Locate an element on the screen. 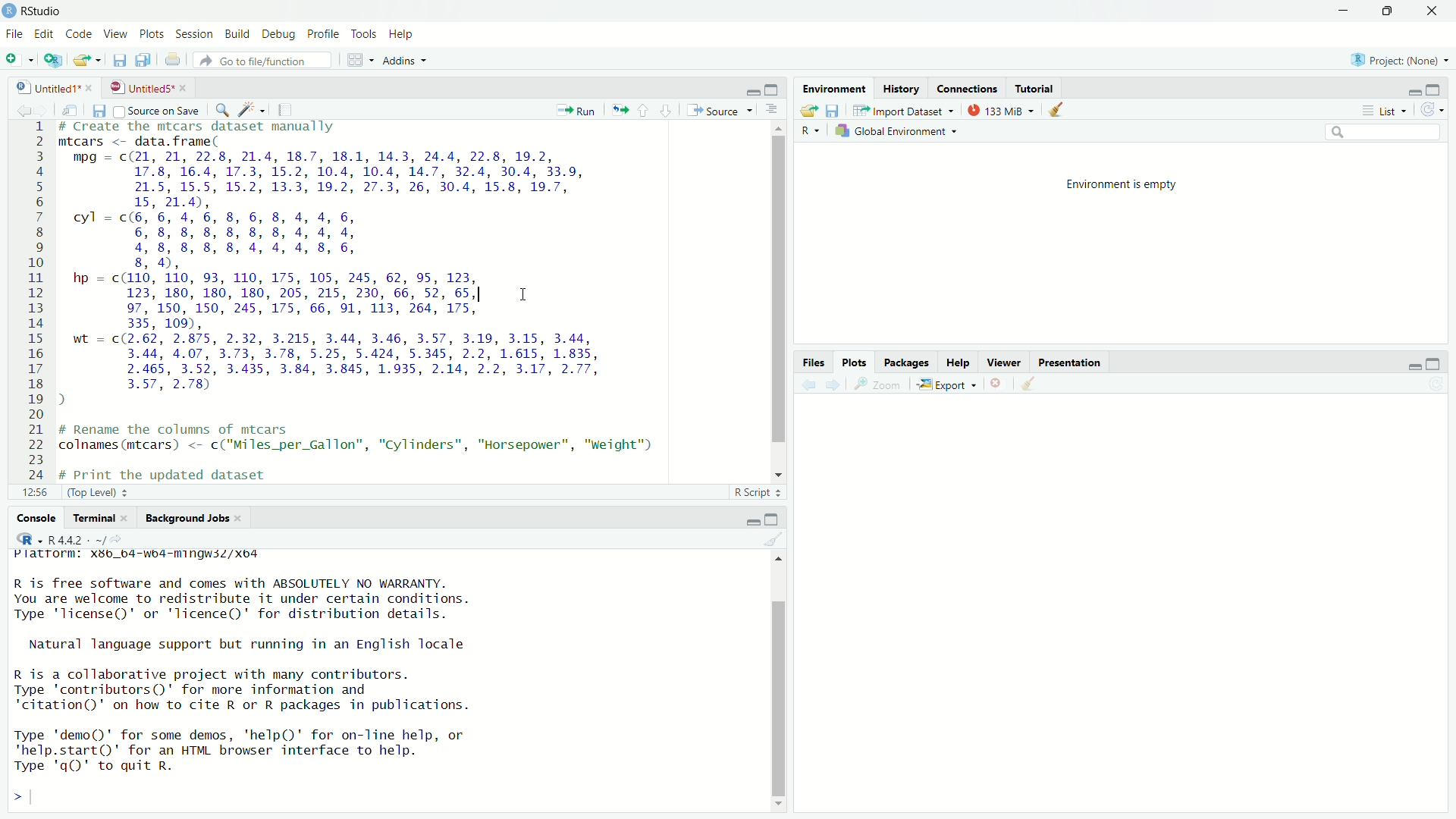  grid is located at coordinates (361, 60).